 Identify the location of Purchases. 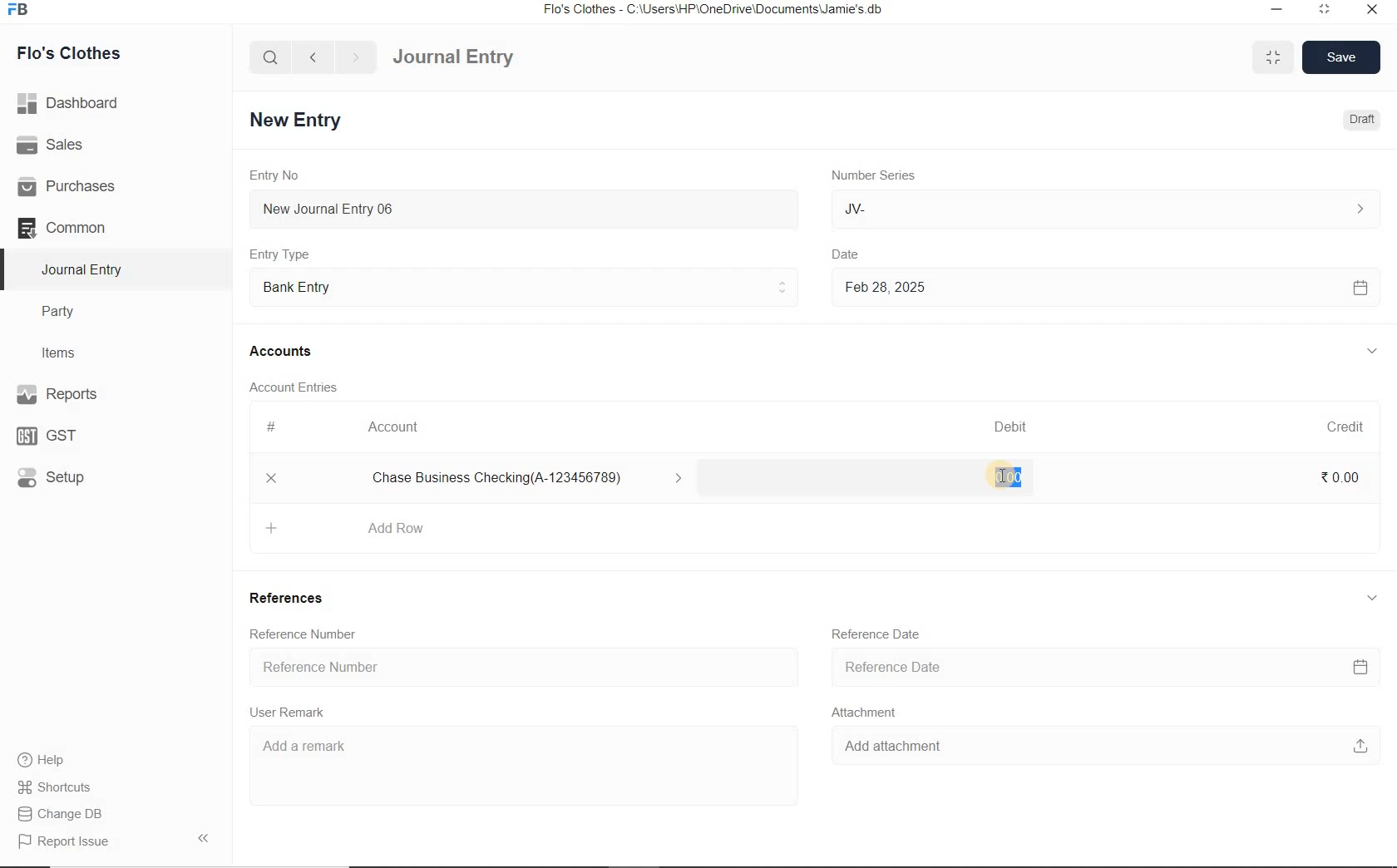
(74, 185).